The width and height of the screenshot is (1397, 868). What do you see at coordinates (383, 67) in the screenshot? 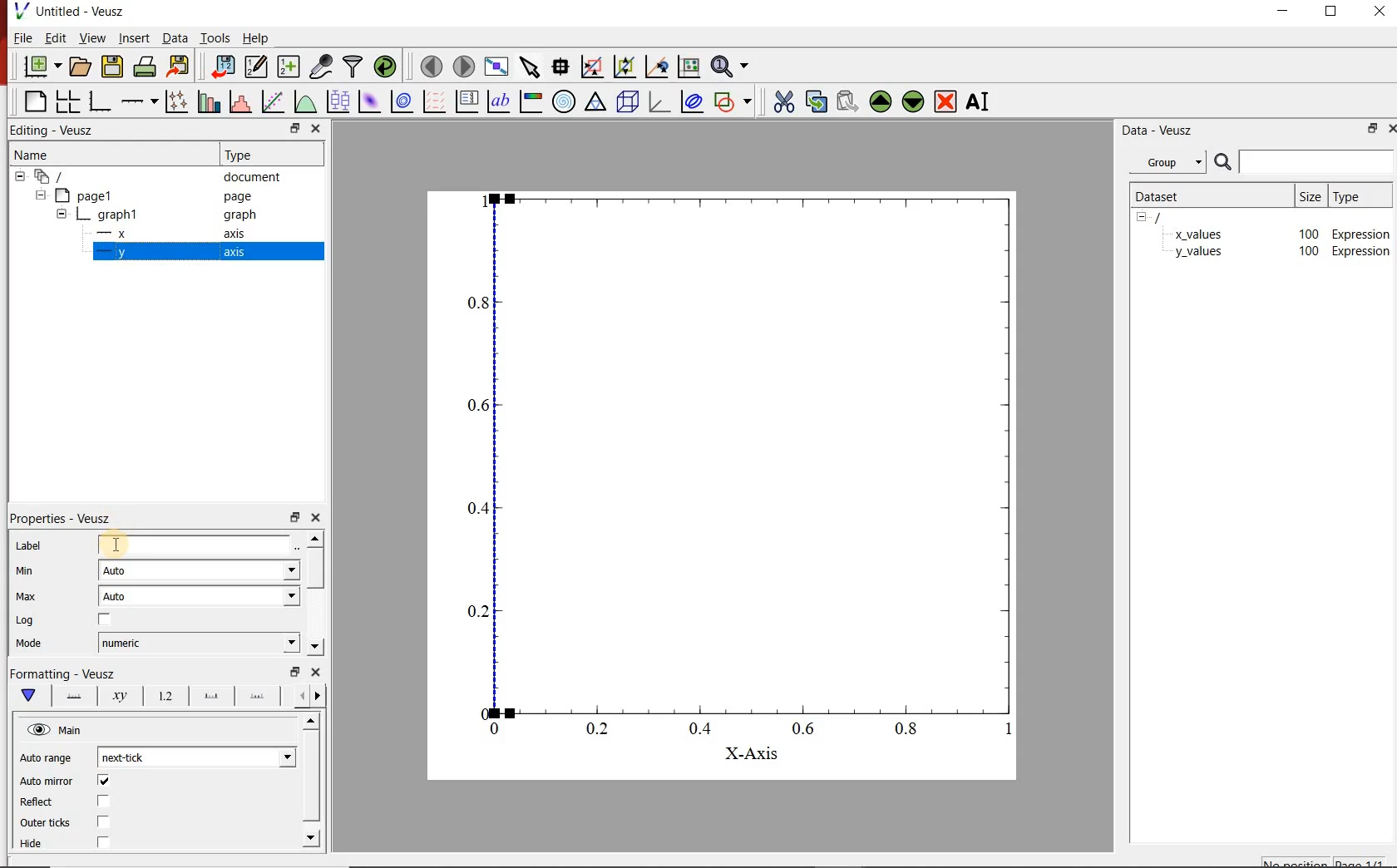
I see `reload linked datasets` at bounding box center [383, 67].